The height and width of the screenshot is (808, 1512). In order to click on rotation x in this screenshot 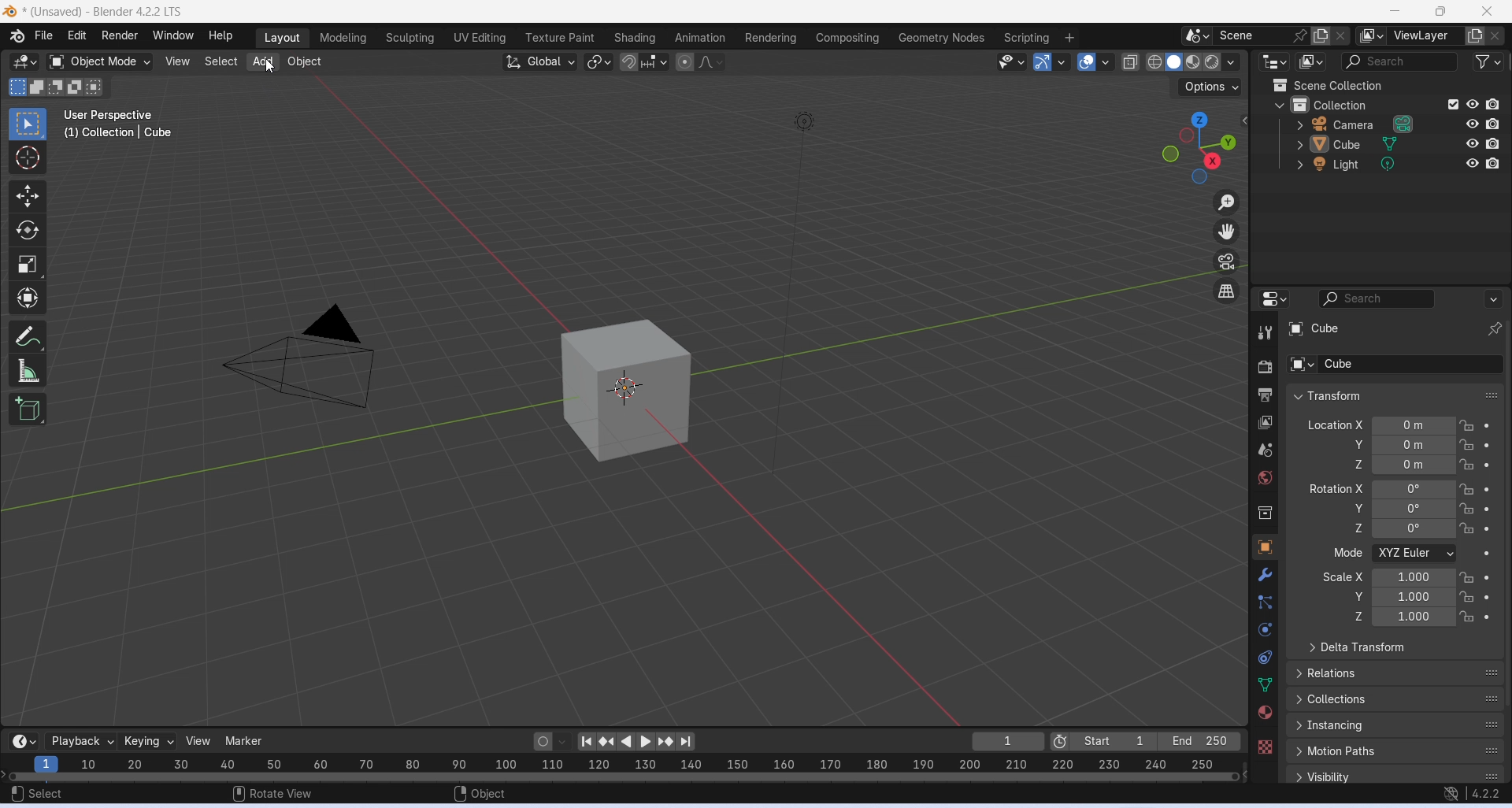, I will do `click(1336, 488)`.